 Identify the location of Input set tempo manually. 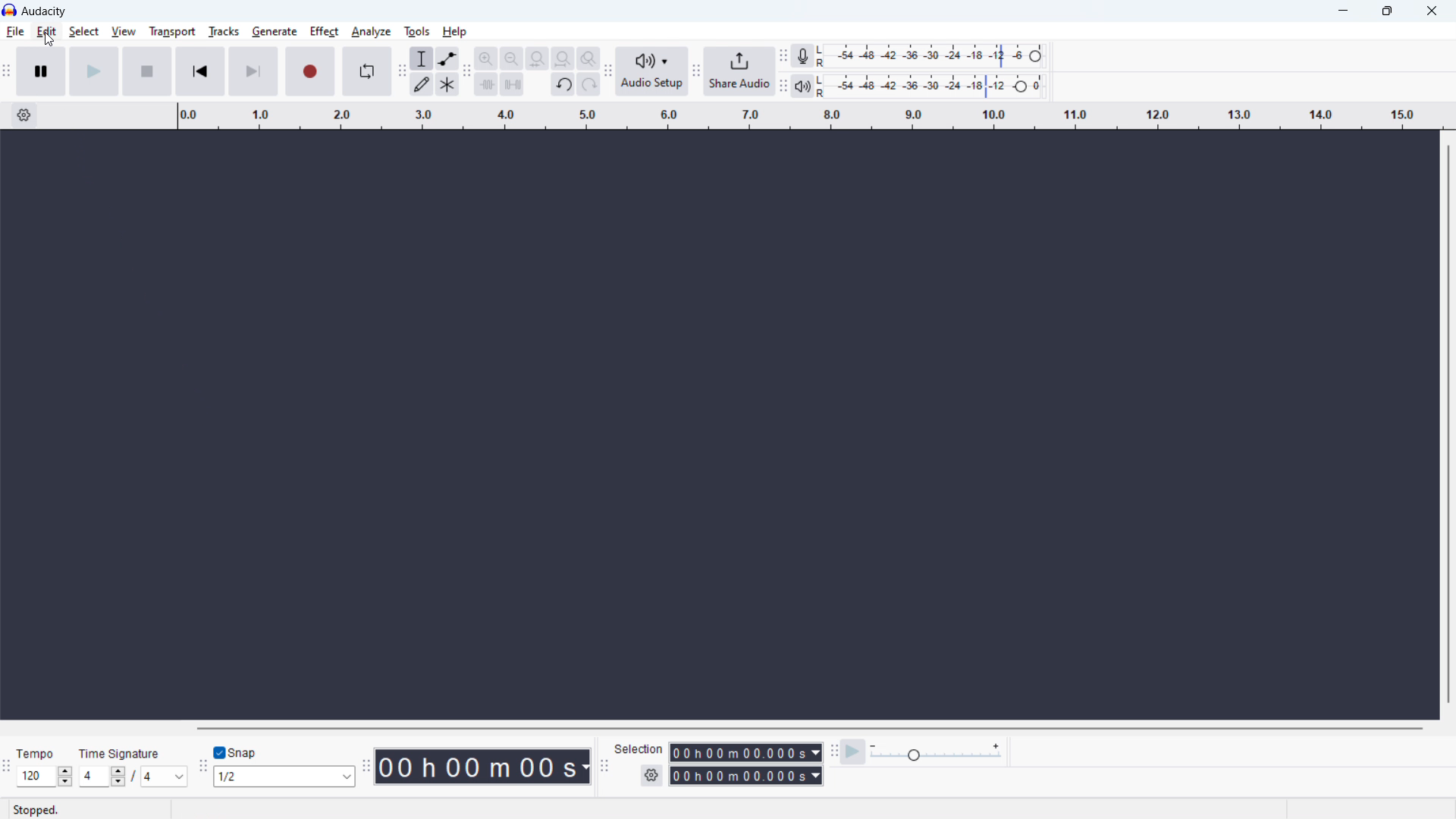
(36, 777).